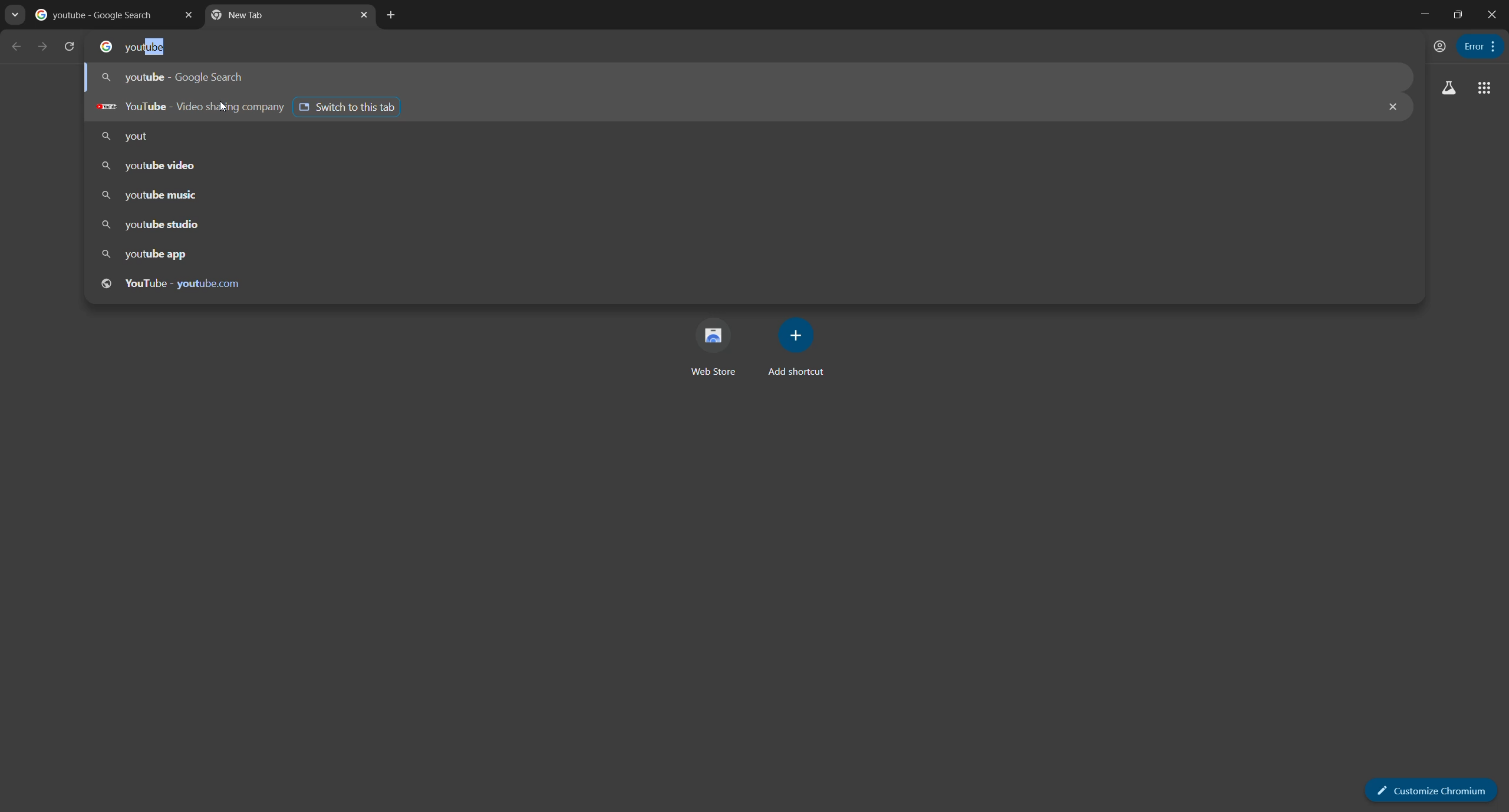 The width and height of the screenshot is (1509, 812). Describe the element at coordinates (800, 348) in the screenshot. I see `add shortcut` at that location.